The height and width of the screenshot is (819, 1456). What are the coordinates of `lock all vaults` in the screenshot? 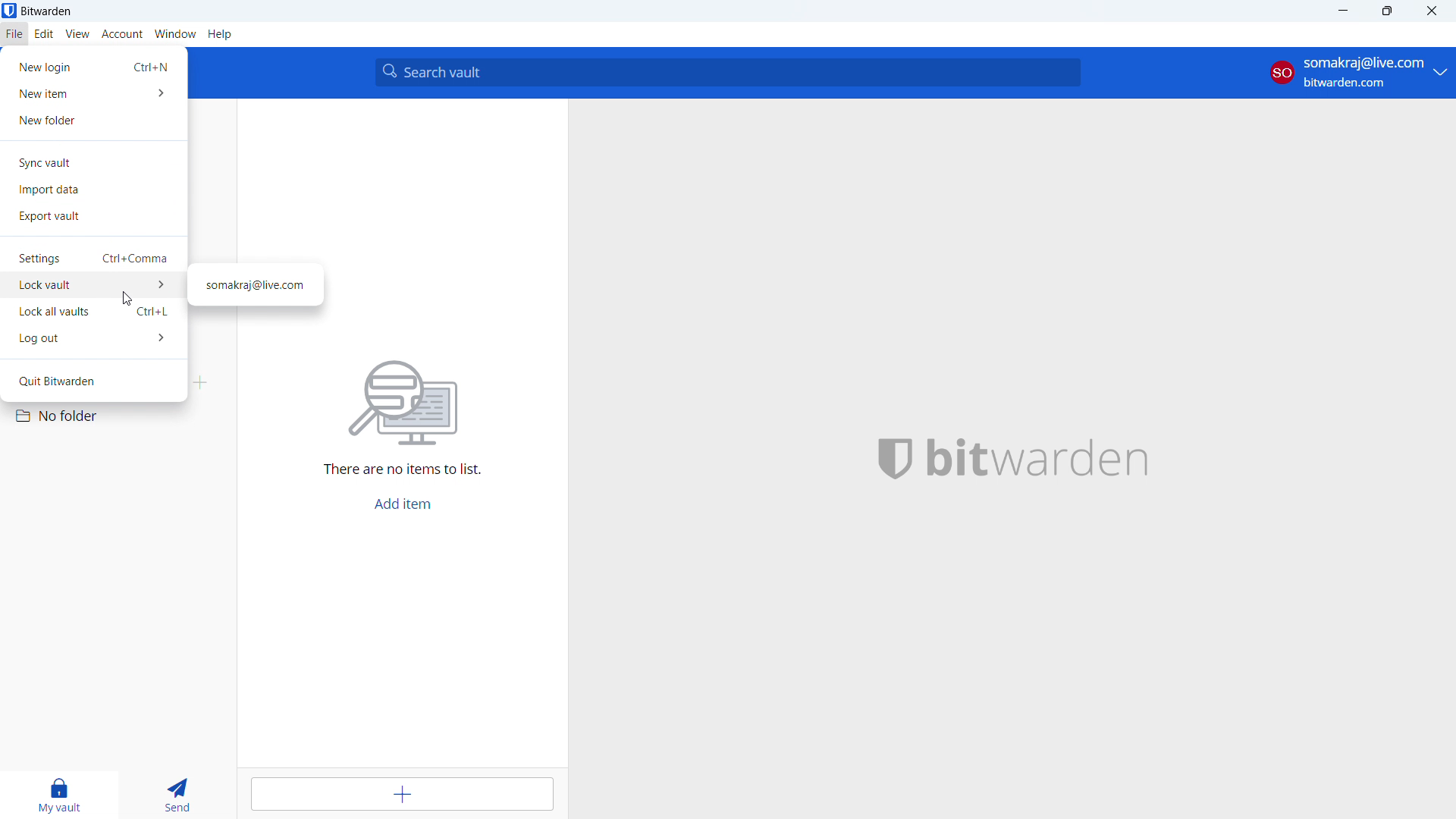 It's located at (93, 312).